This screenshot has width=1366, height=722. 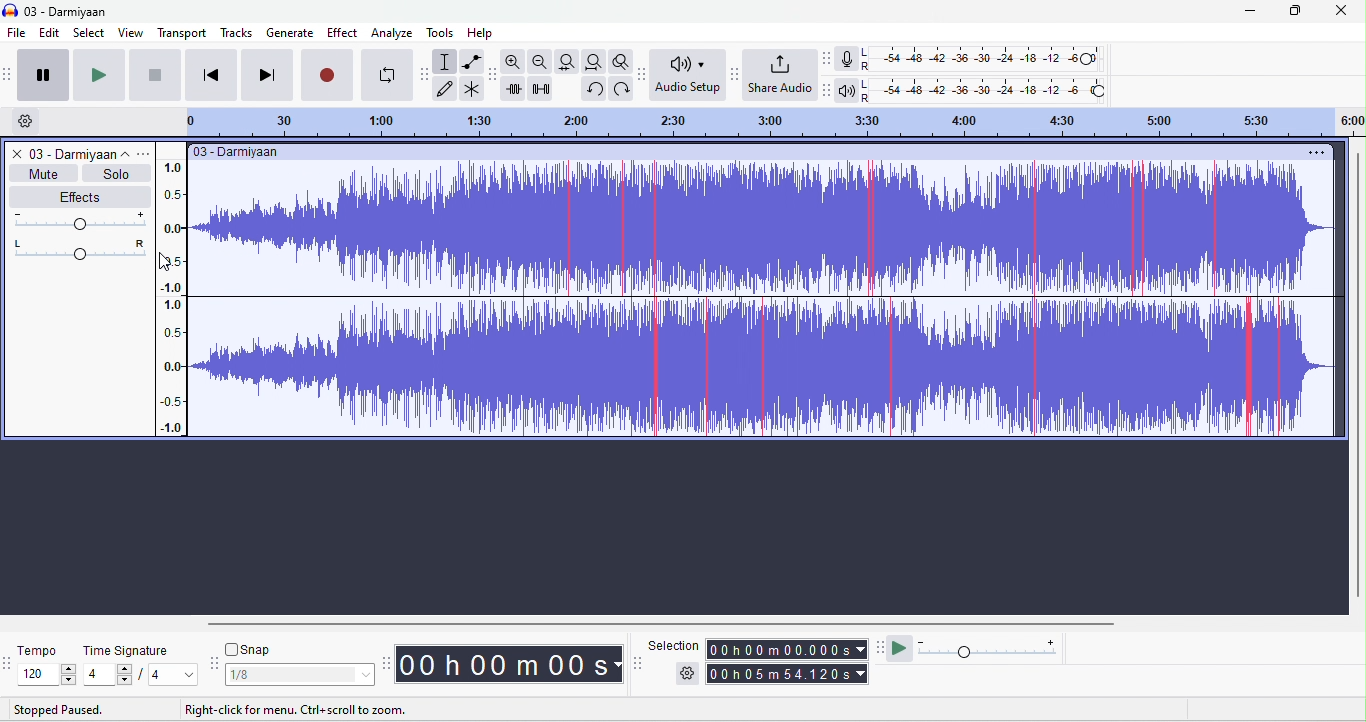 I want to click on undo, so click(x=620, y=90).